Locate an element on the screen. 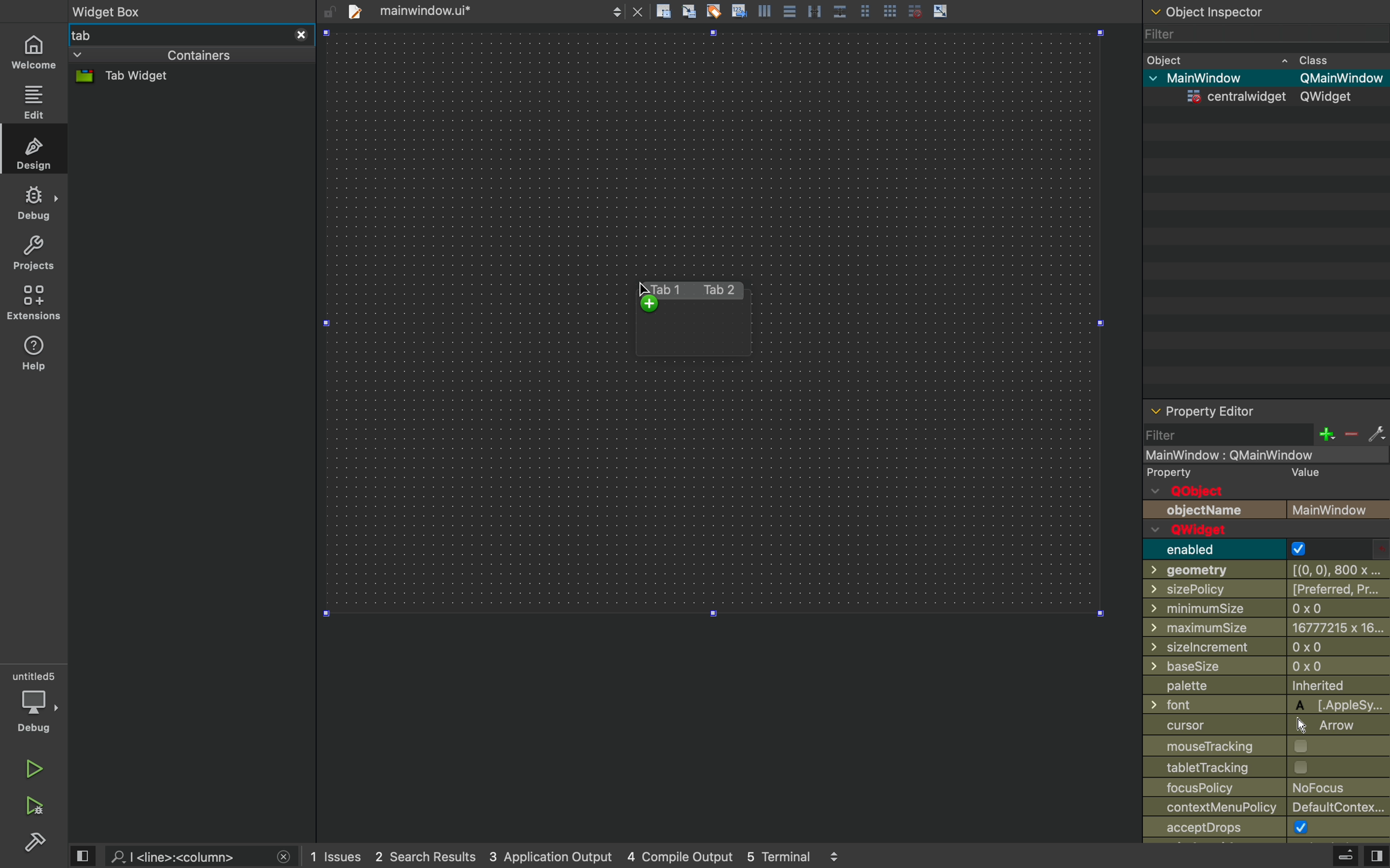 This screenshot has height=868, width=1390. minimumsize is located at coordinates (1264, 610).